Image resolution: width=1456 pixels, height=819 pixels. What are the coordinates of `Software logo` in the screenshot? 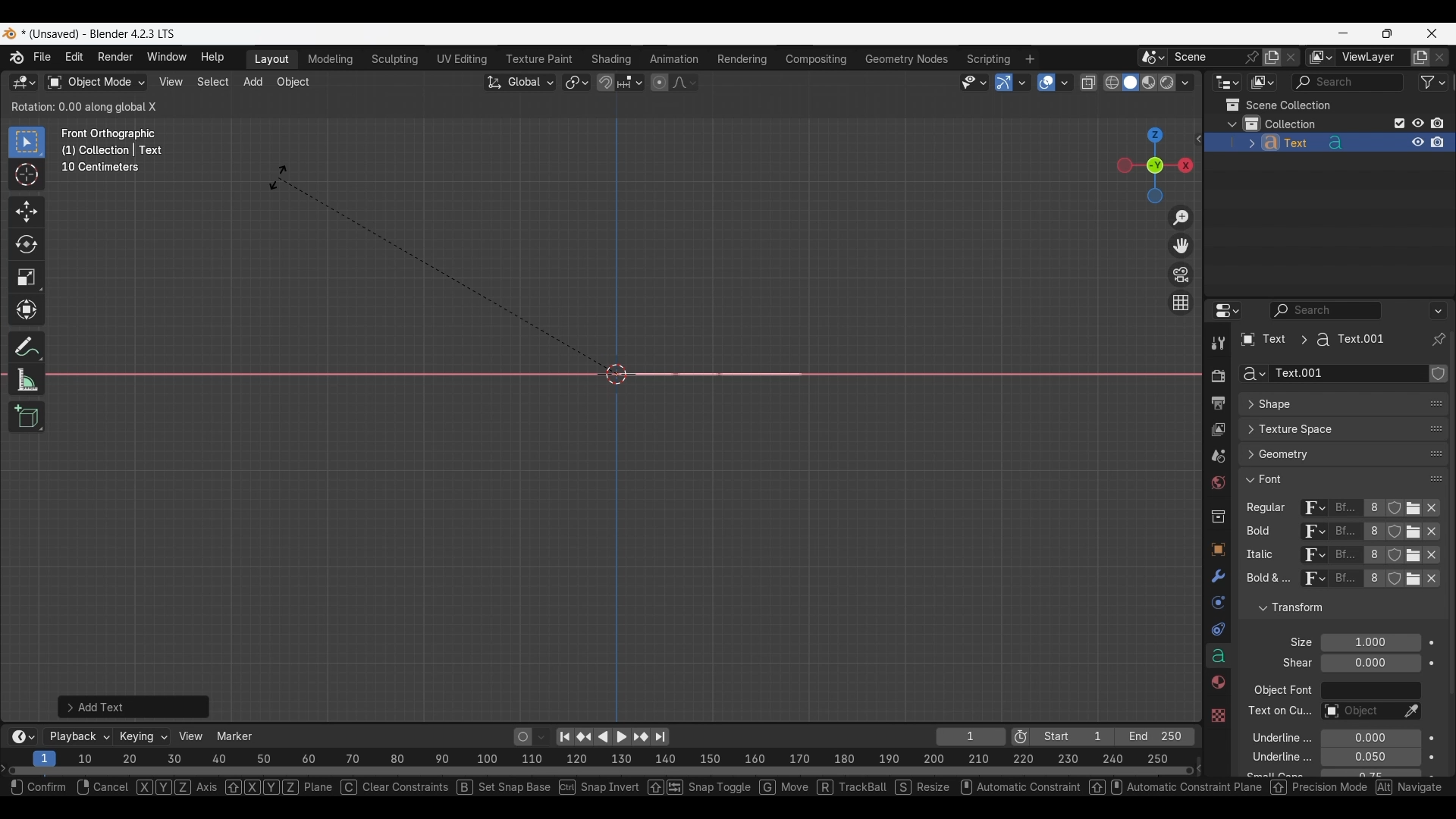 It's located at (9, 33).